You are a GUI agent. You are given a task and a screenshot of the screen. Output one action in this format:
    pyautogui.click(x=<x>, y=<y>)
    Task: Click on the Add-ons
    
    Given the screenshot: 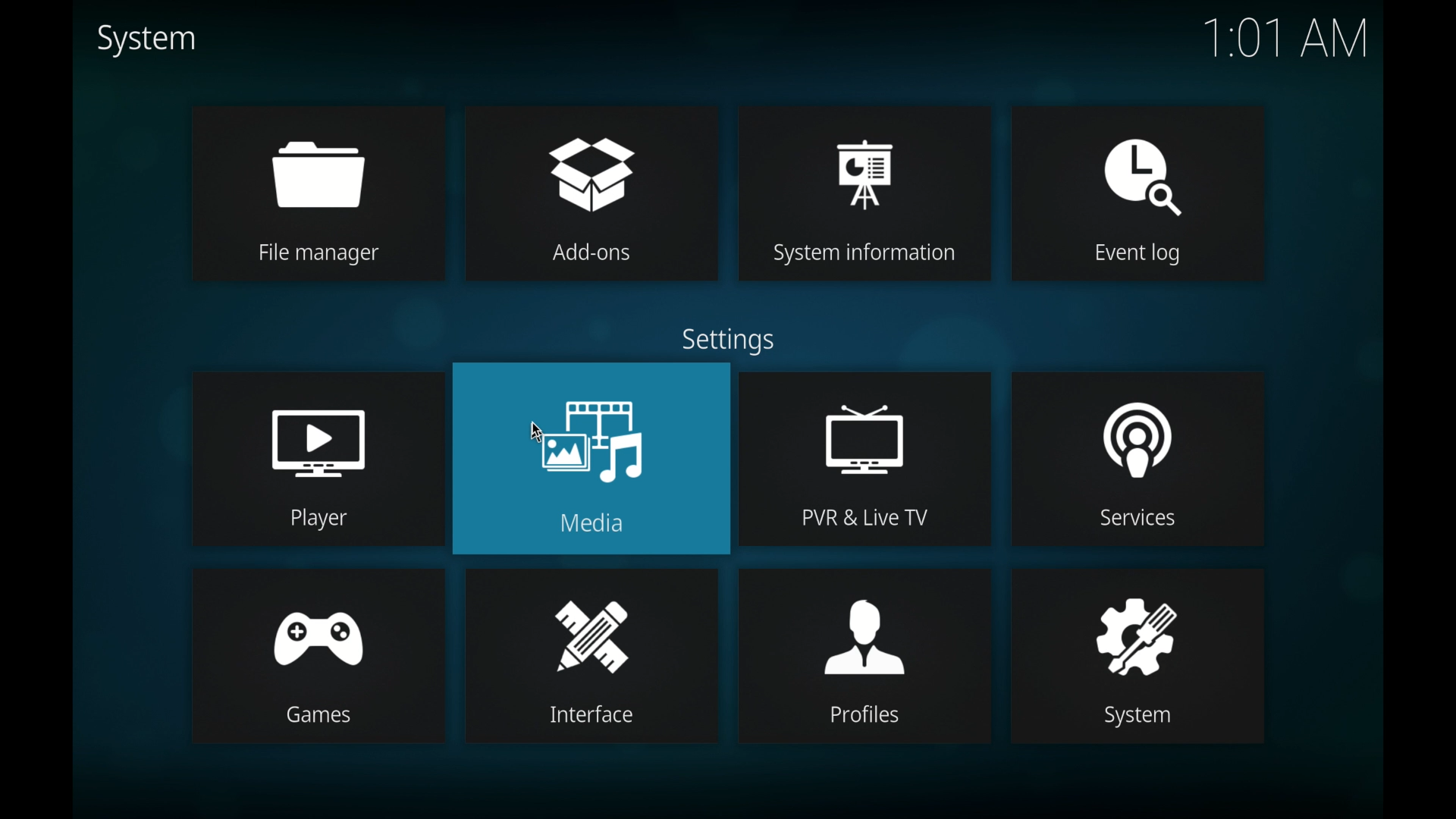 What is the action you would take?
    pyautogui.click(x=593, y=253)
    